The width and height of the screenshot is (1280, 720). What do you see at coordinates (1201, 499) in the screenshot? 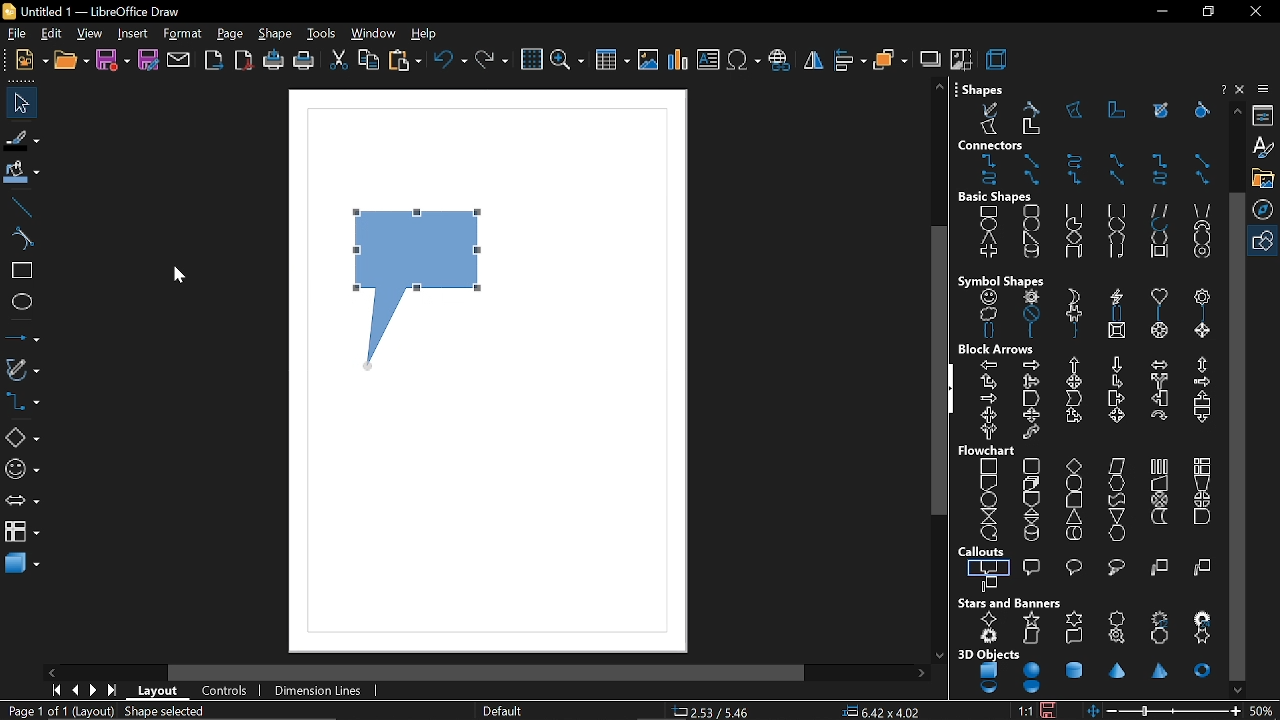
I see `or` at bounding box center [1201, 499].